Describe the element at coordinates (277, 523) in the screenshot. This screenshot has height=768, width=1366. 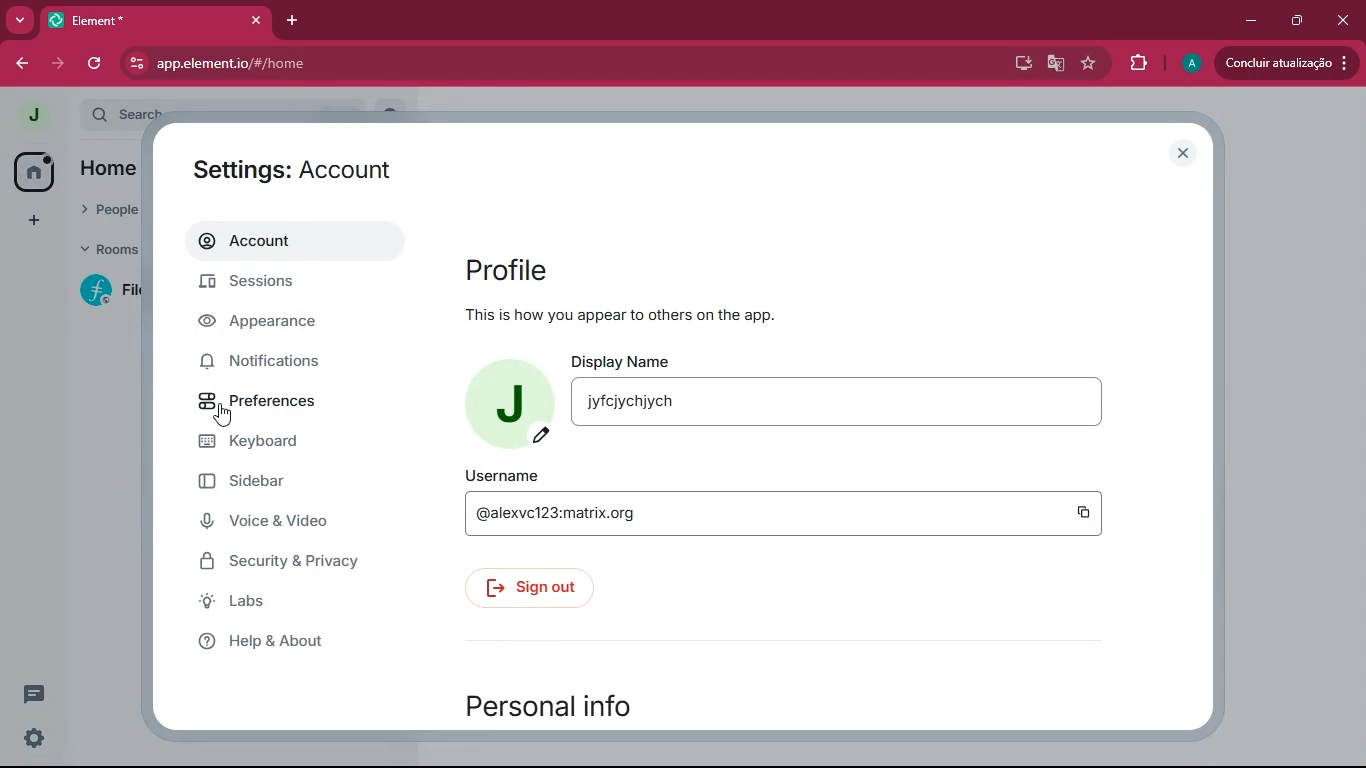
I see `voice & video` at that location.